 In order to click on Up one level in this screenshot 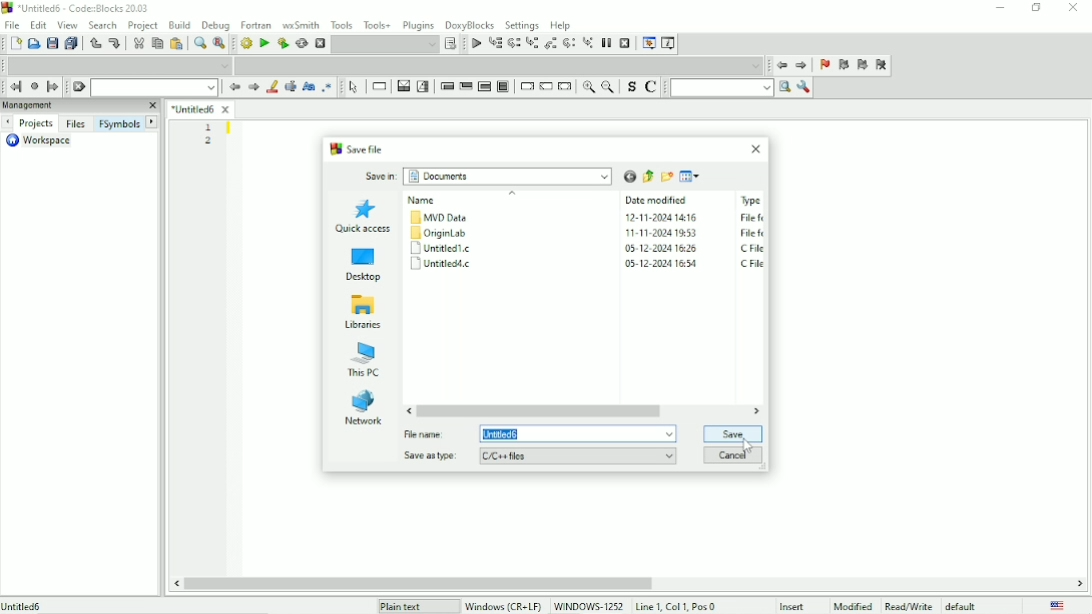, I will do `click(648, 176)`.